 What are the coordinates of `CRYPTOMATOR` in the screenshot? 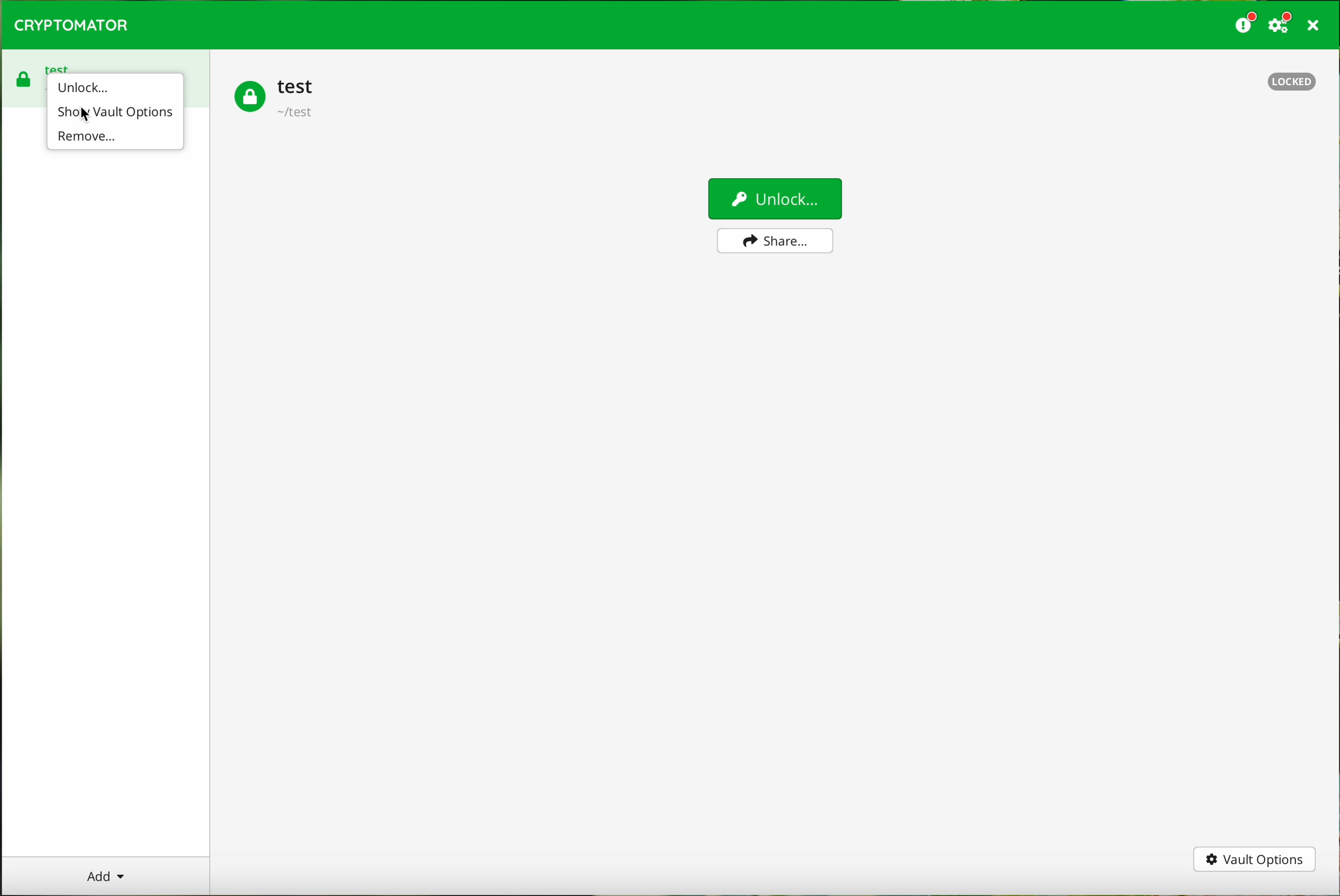 It's located at (72, 25).